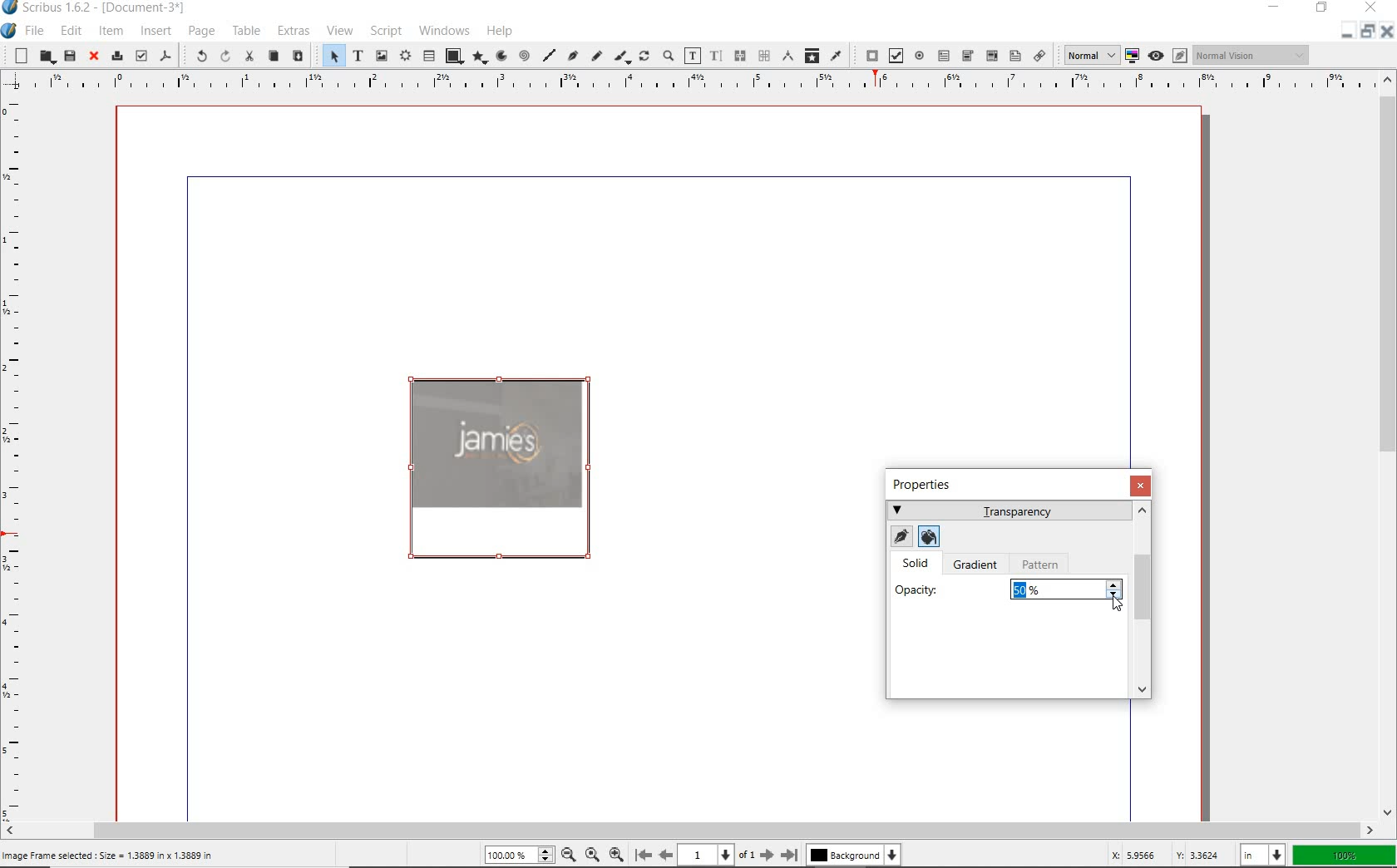 The height and width of the screenshot is (868, 1397). What do you see at coordinates (405, 57) in the screenshot?
I see `render frame` at bounding box center [405, 57].